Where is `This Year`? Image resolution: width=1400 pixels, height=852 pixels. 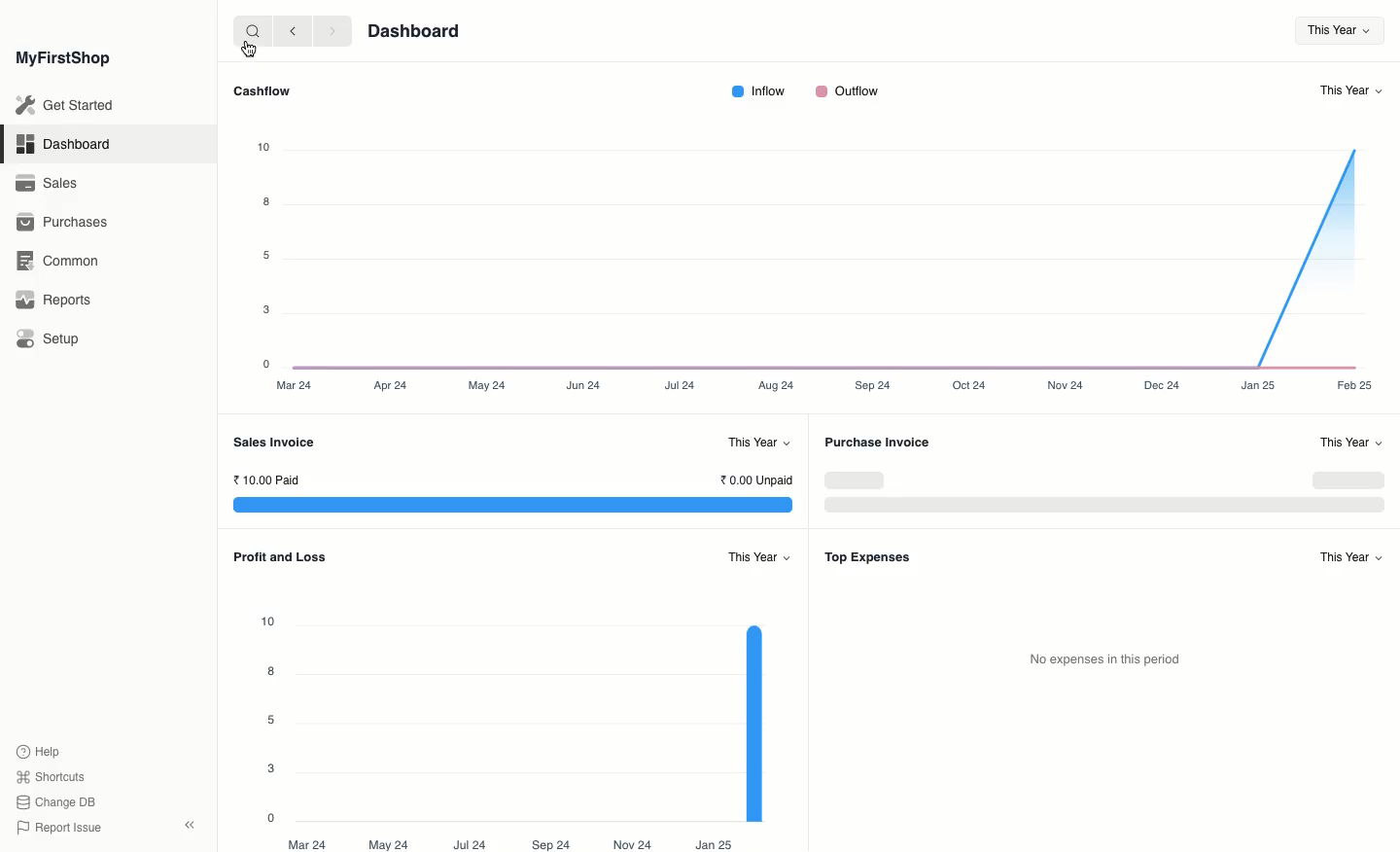 This Year is located at coordinates (761, 441).